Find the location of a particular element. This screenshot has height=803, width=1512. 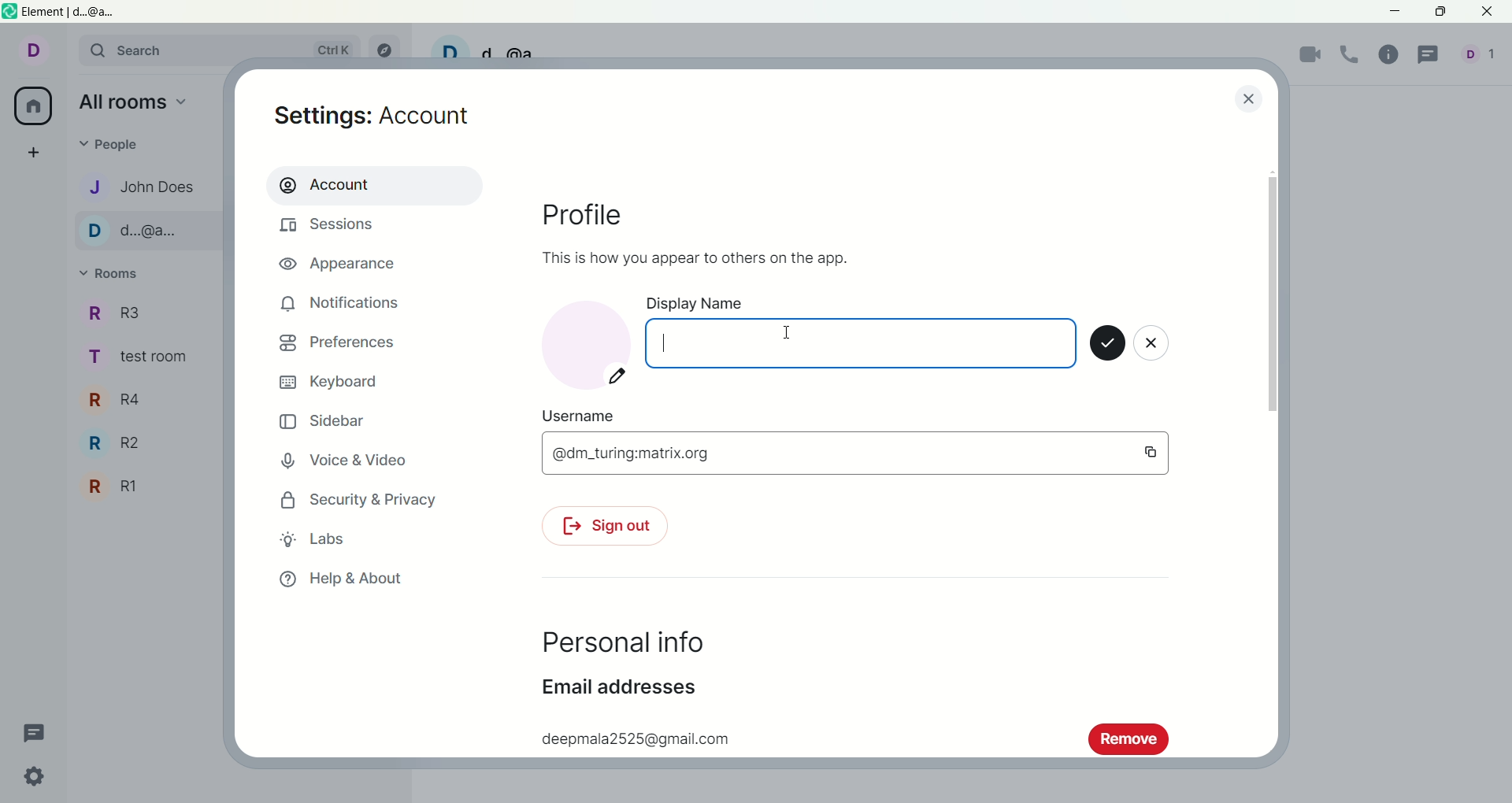

preferences is located at coordinates (337, 346).